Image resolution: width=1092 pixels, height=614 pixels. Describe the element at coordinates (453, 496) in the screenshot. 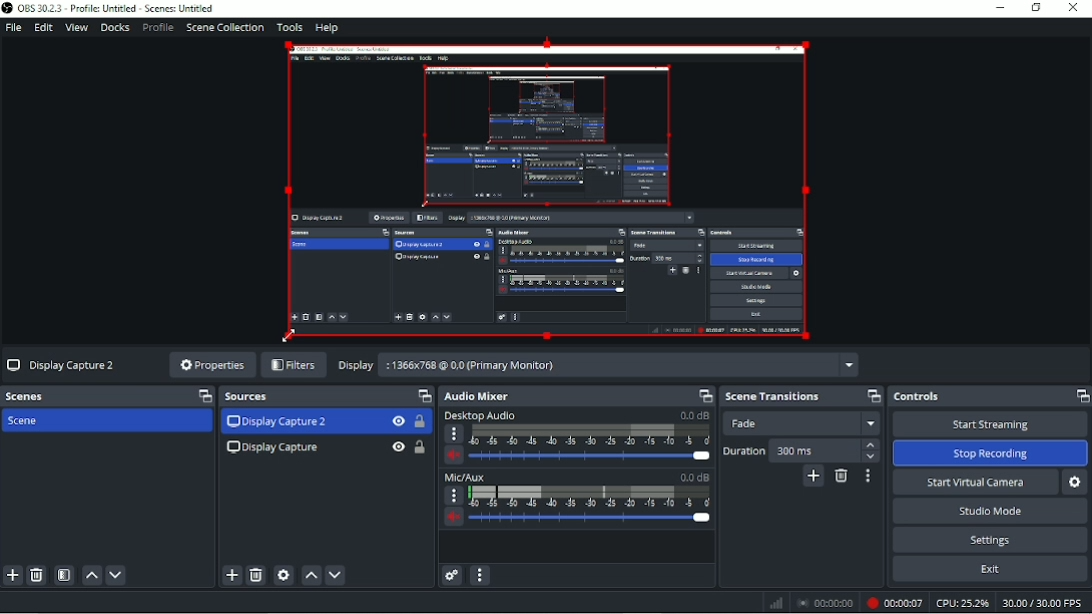

I see `more options` at that location.